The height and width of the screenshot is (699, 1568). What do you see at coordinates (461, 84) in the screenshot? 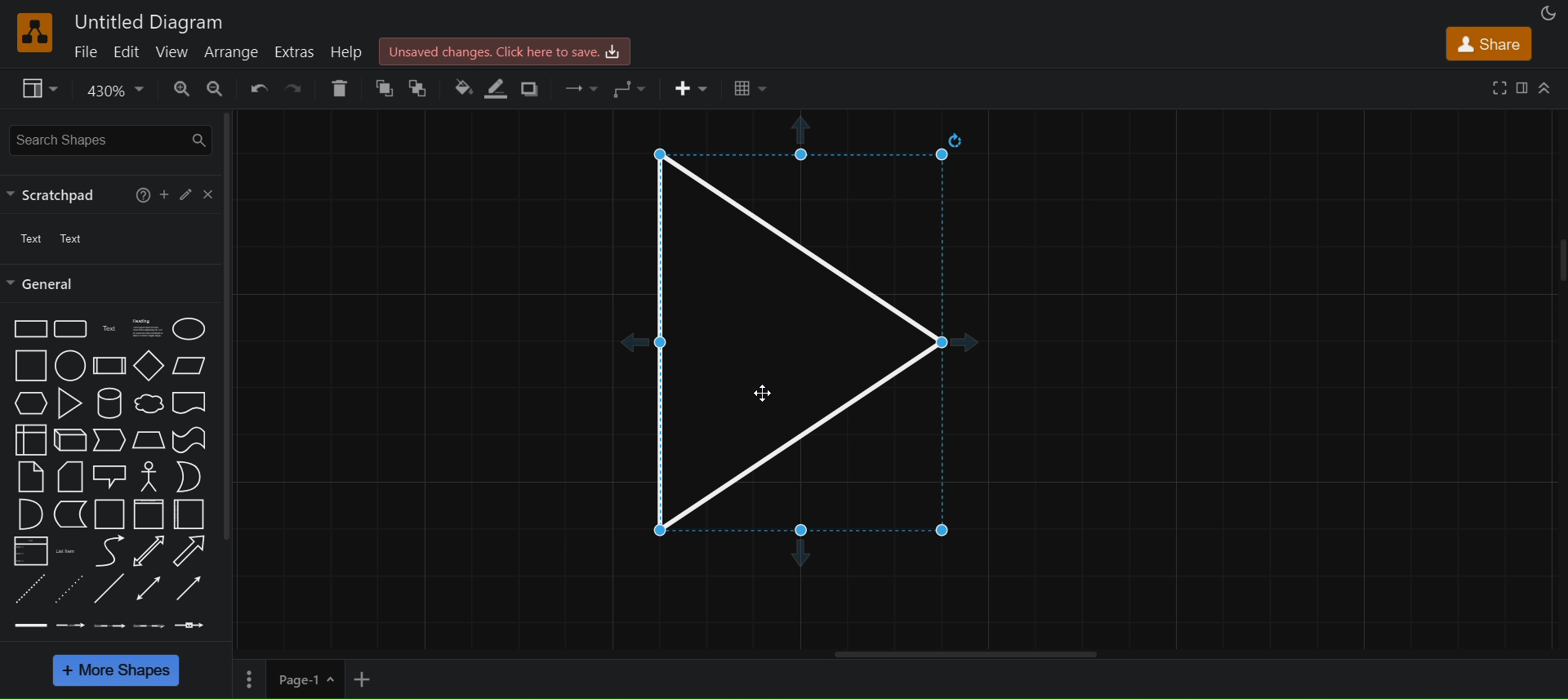
I see `fill color` at bounding box center [461, 84].